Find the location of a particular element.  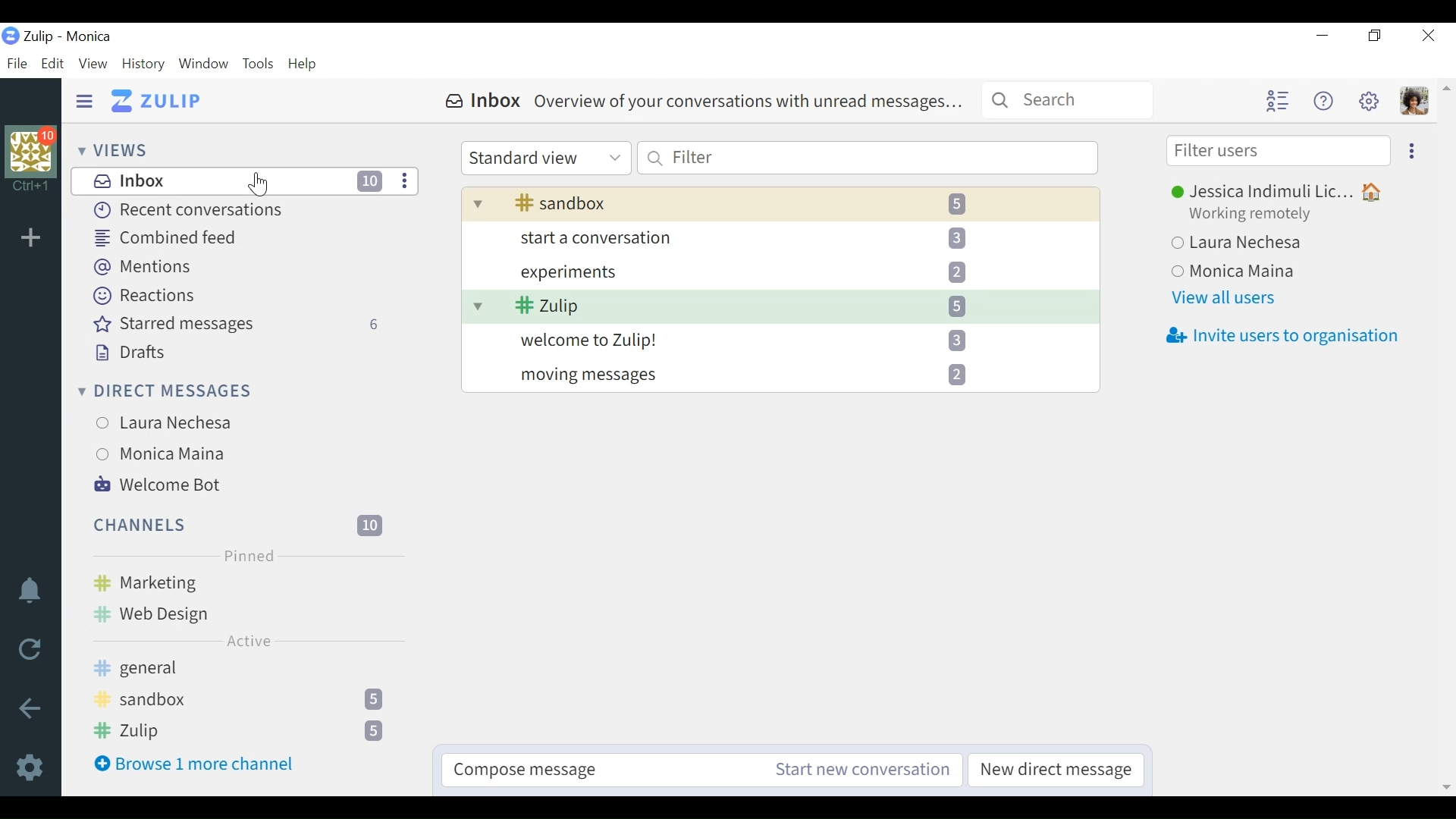

Browse more channel is located at coordinates (201, 764).